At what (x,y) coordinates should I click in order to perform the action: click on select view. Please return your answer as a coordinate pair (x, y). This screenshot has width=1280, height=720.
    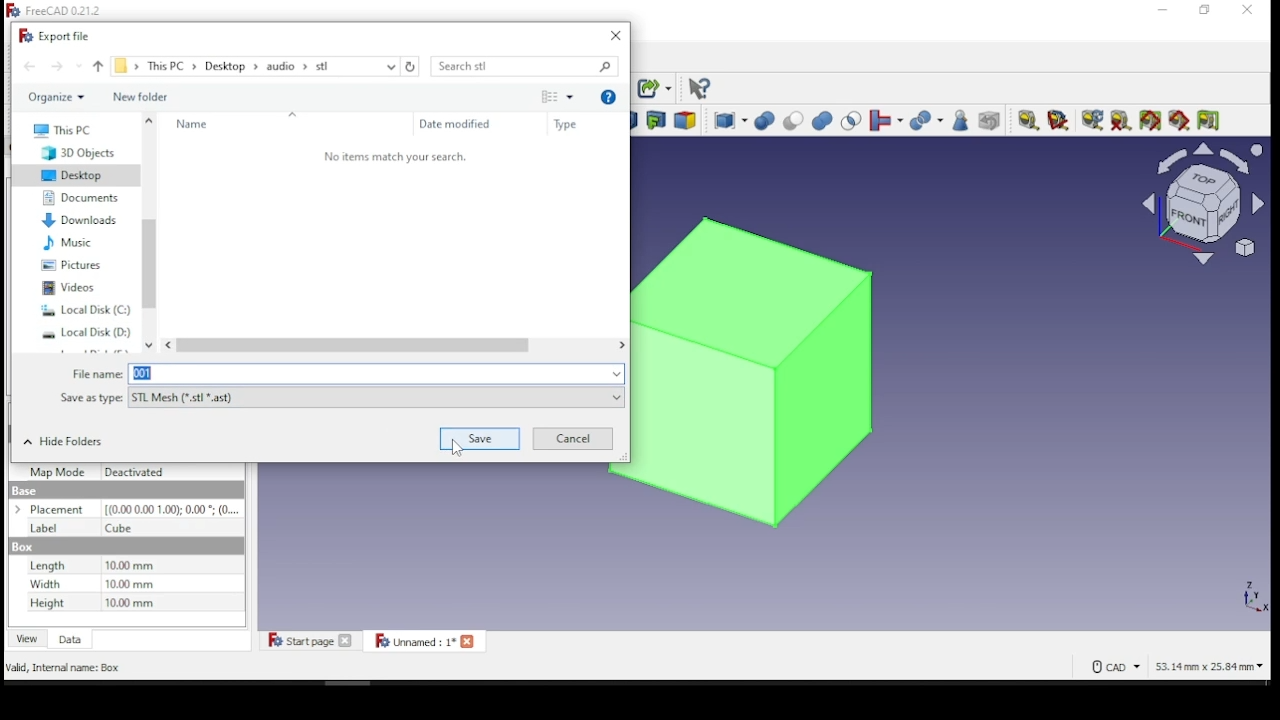
    Looking at the image, I should click on (1202, 206).